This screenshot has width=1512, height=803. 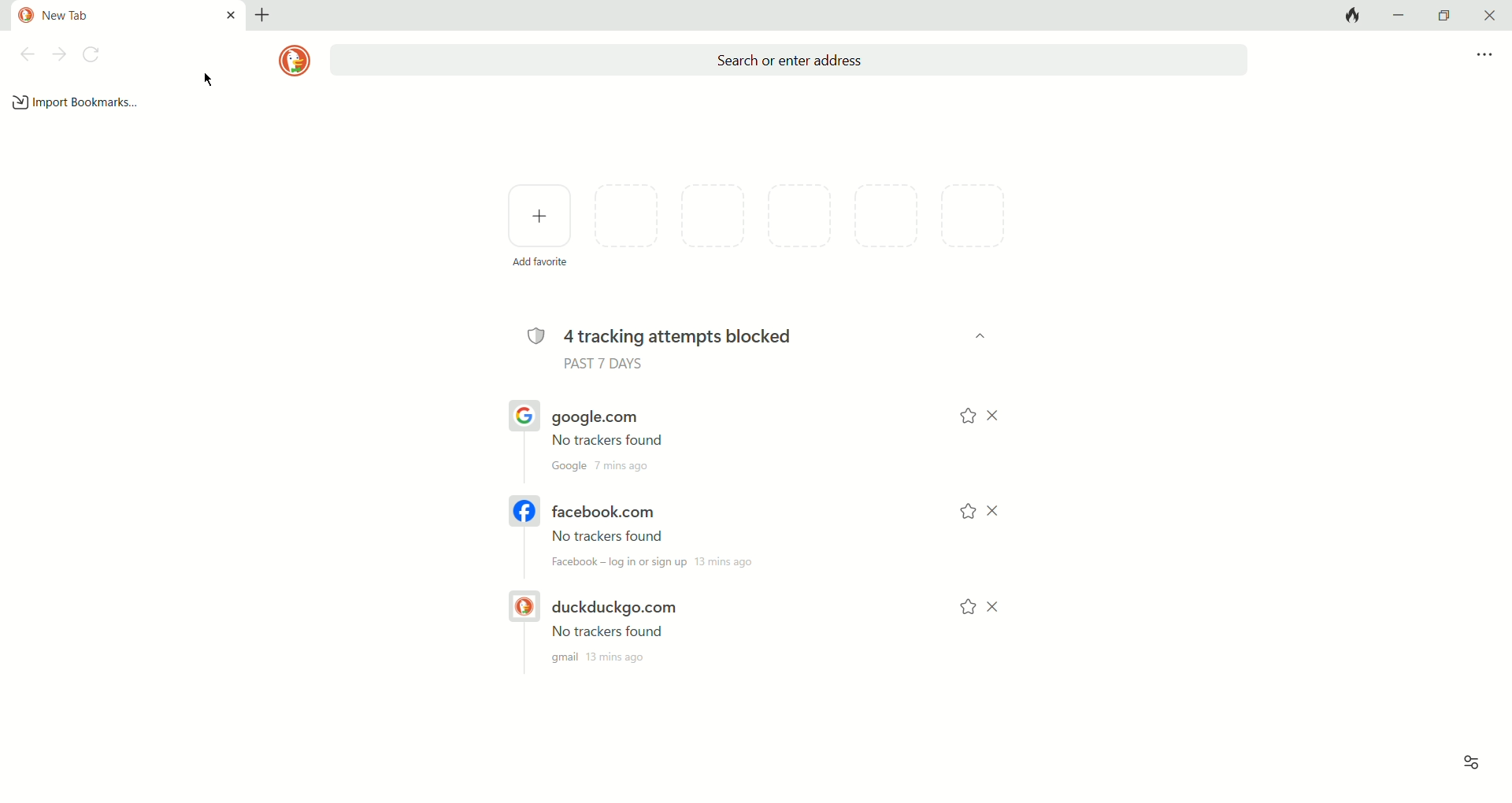 What do you see at coordinates (635, 534) in the screenshot?
I see `FACEBOOK.COM URL` at bounding box center [635, 534].